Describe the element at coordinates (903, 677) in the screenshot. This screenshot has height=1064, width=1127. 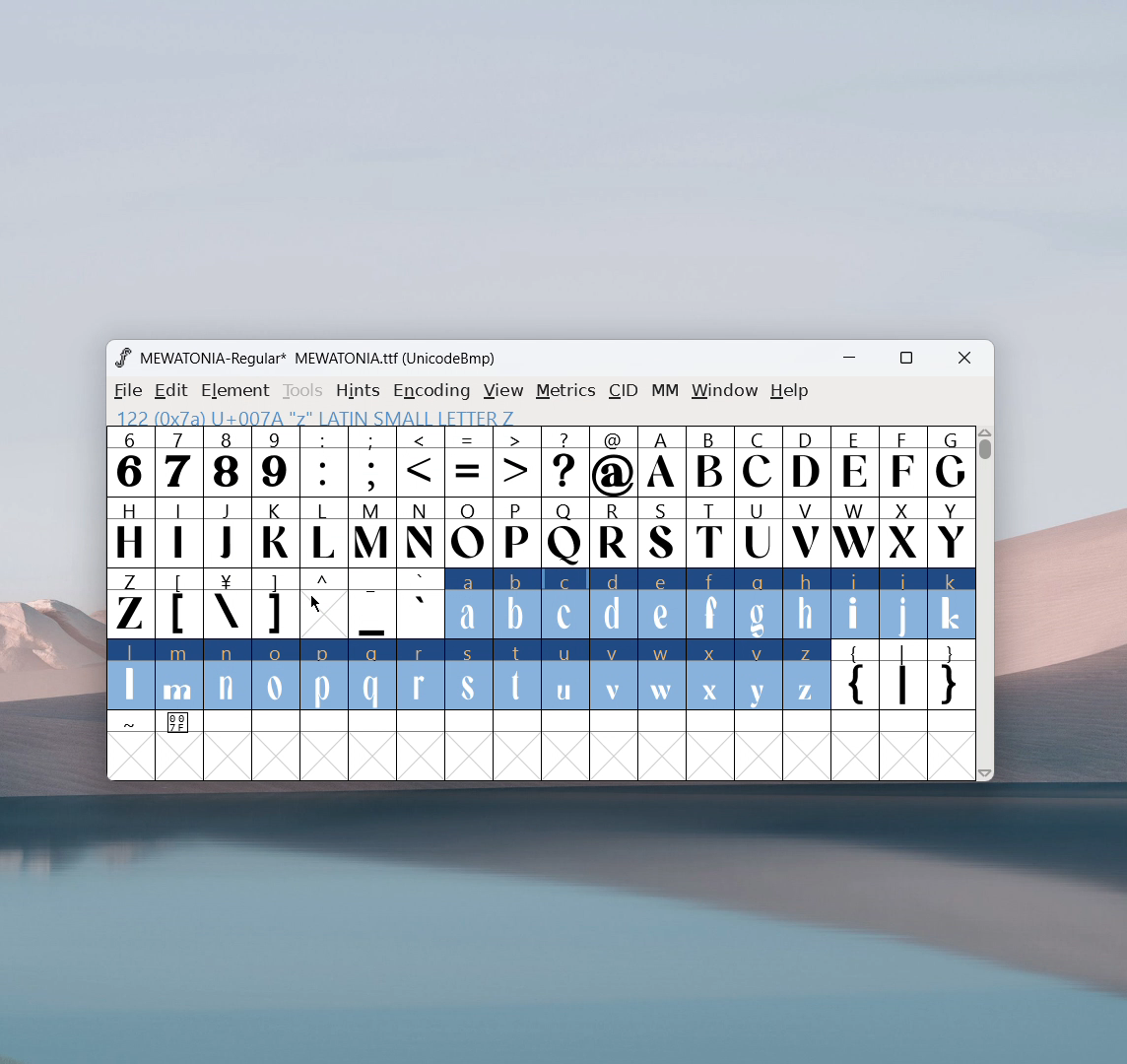
I see `|` at that location.